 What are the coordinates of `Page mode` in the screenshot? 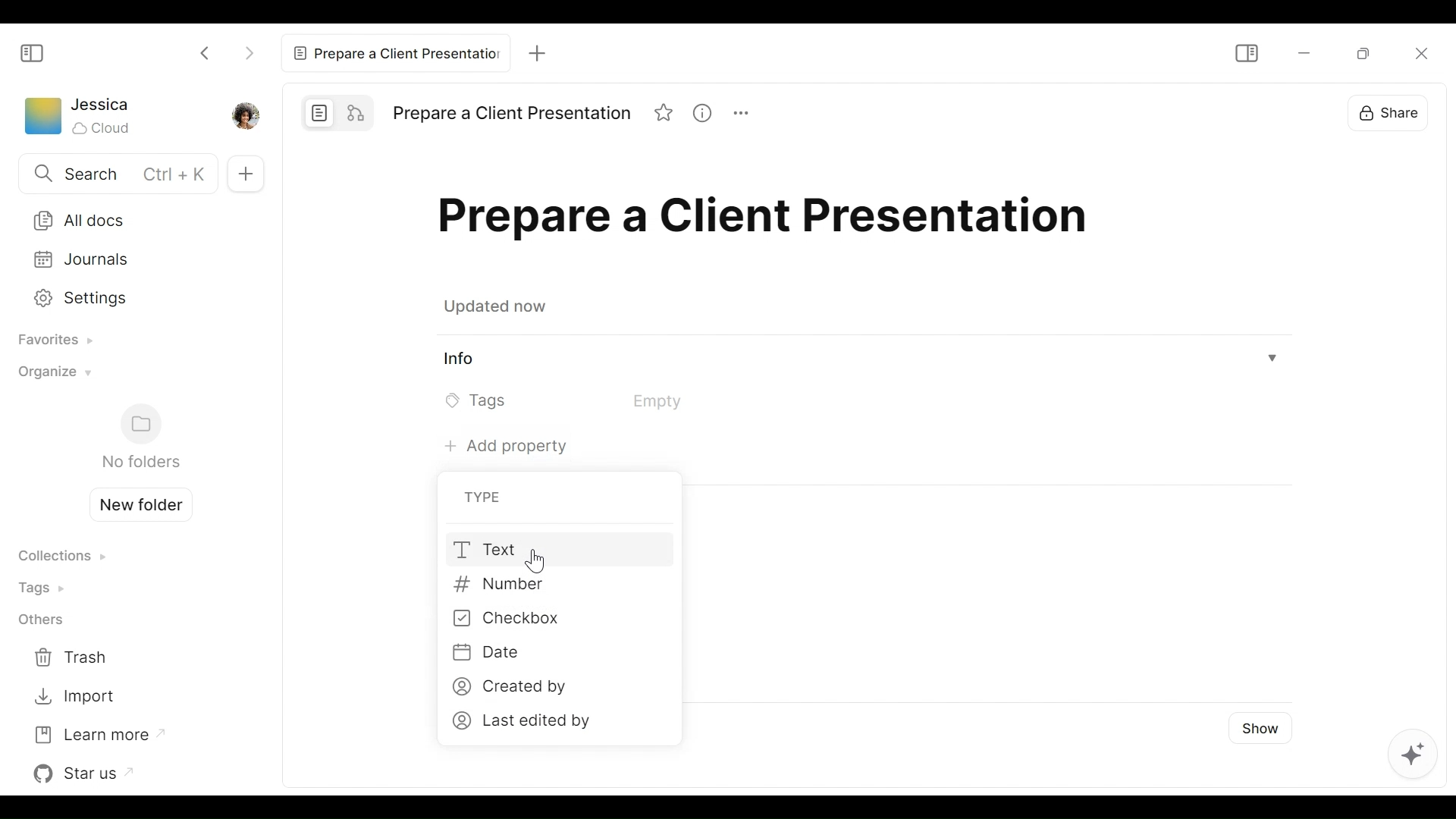 It's located at (320, 112).